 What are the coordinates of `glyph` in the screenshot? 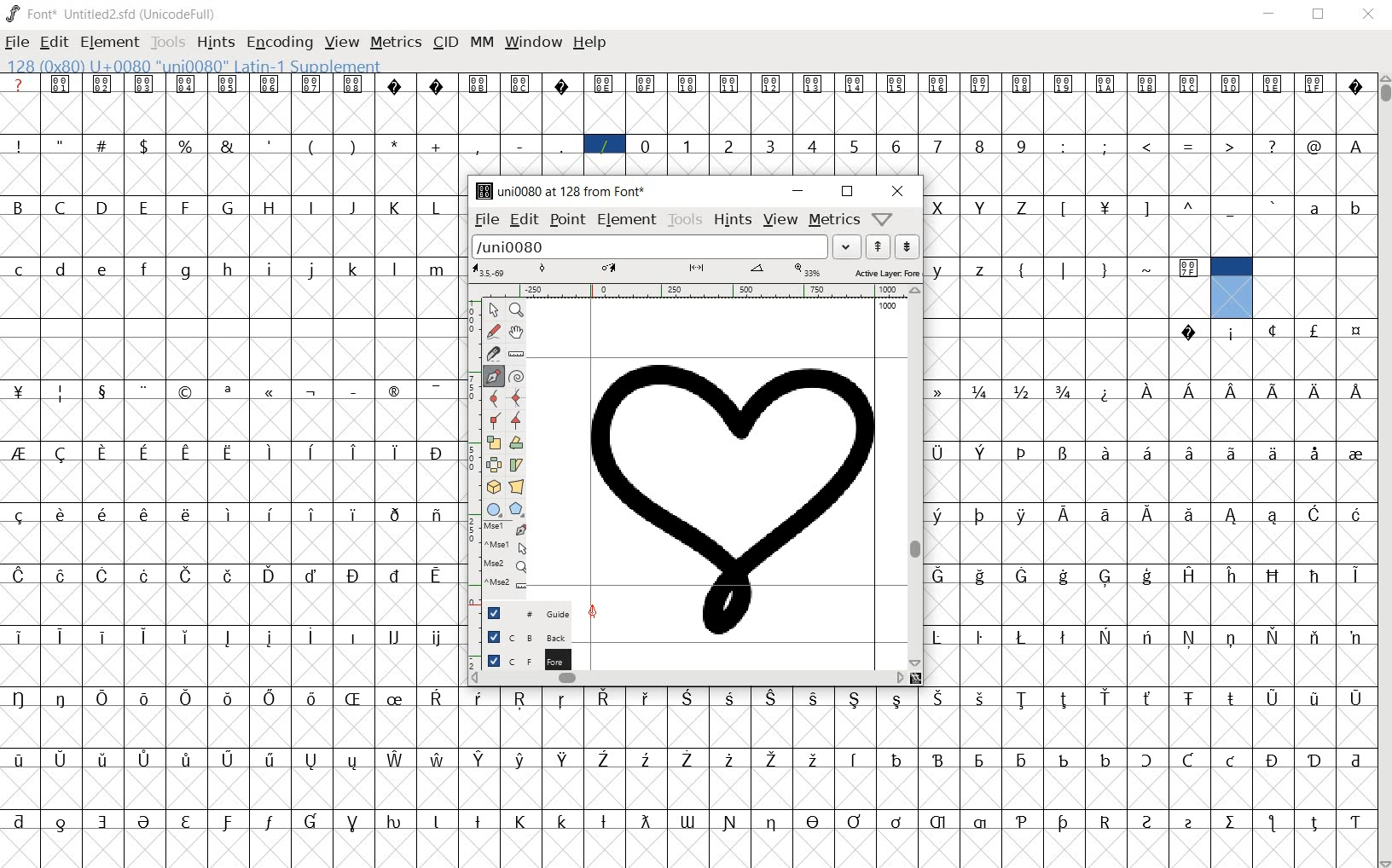 It's located at (144, 576).